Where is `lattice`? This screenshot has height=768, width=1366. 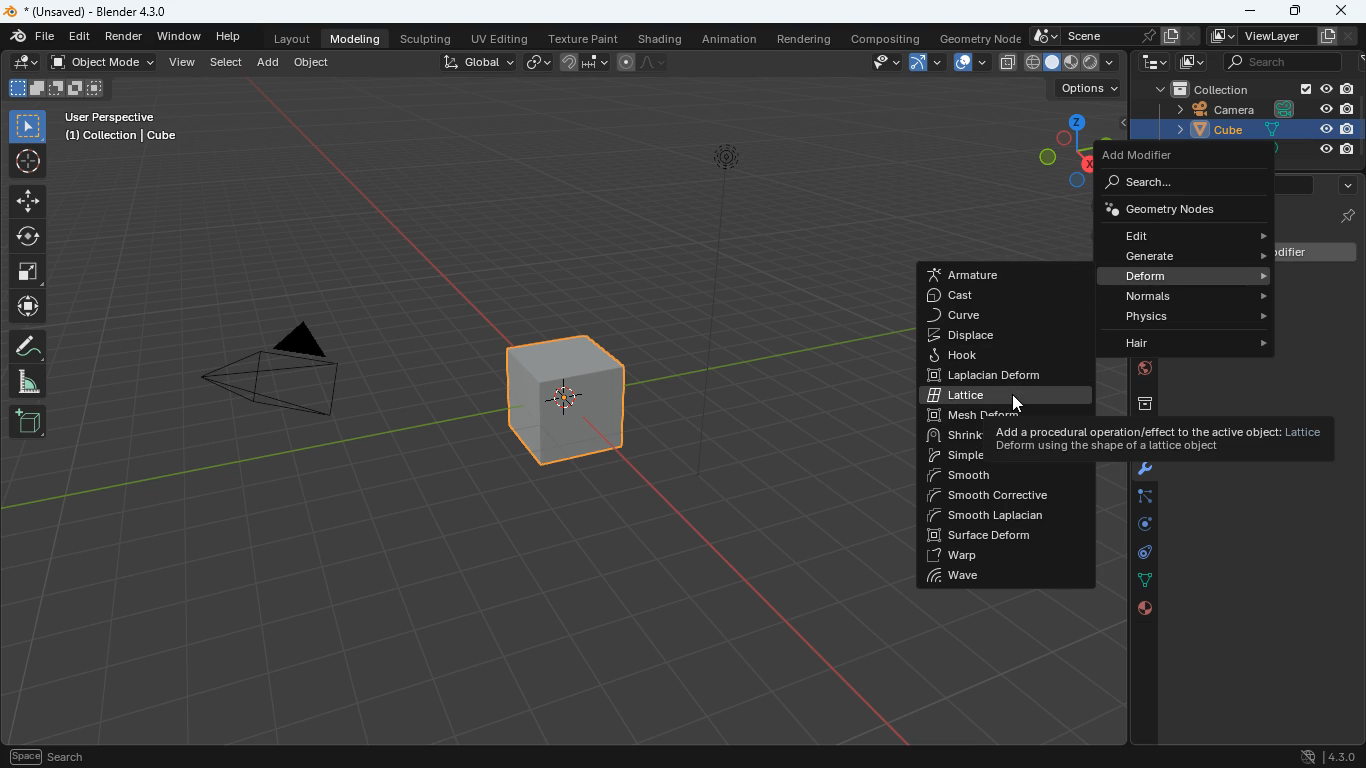
lattice is located at coordinates (1001, 395).